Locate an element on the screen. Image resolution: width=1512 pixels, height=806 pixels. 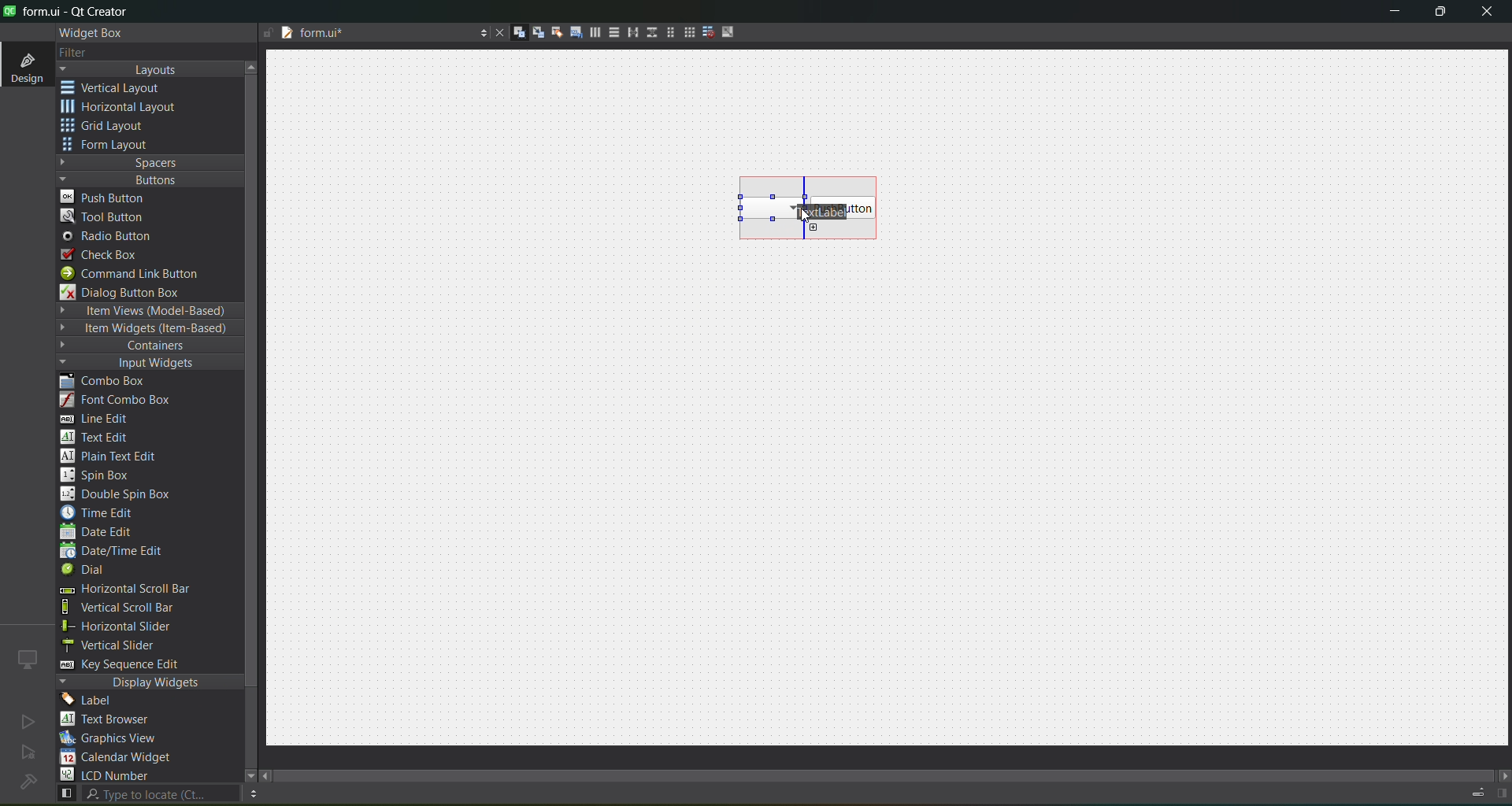
layout vertically is located at coordinates (610, 31).